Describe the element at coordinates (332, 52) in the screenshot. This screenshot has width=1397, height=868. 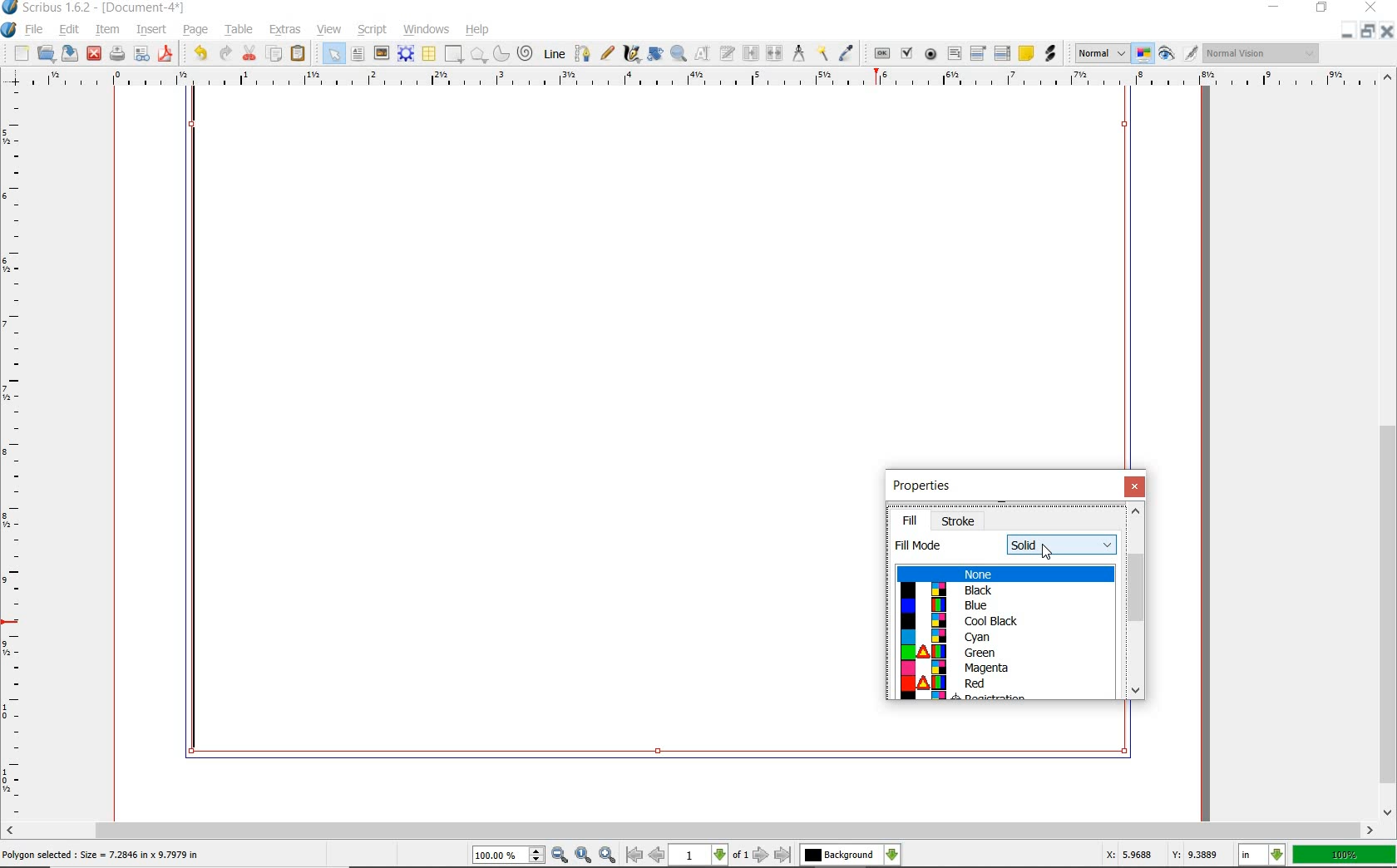
I see `select` at that location.